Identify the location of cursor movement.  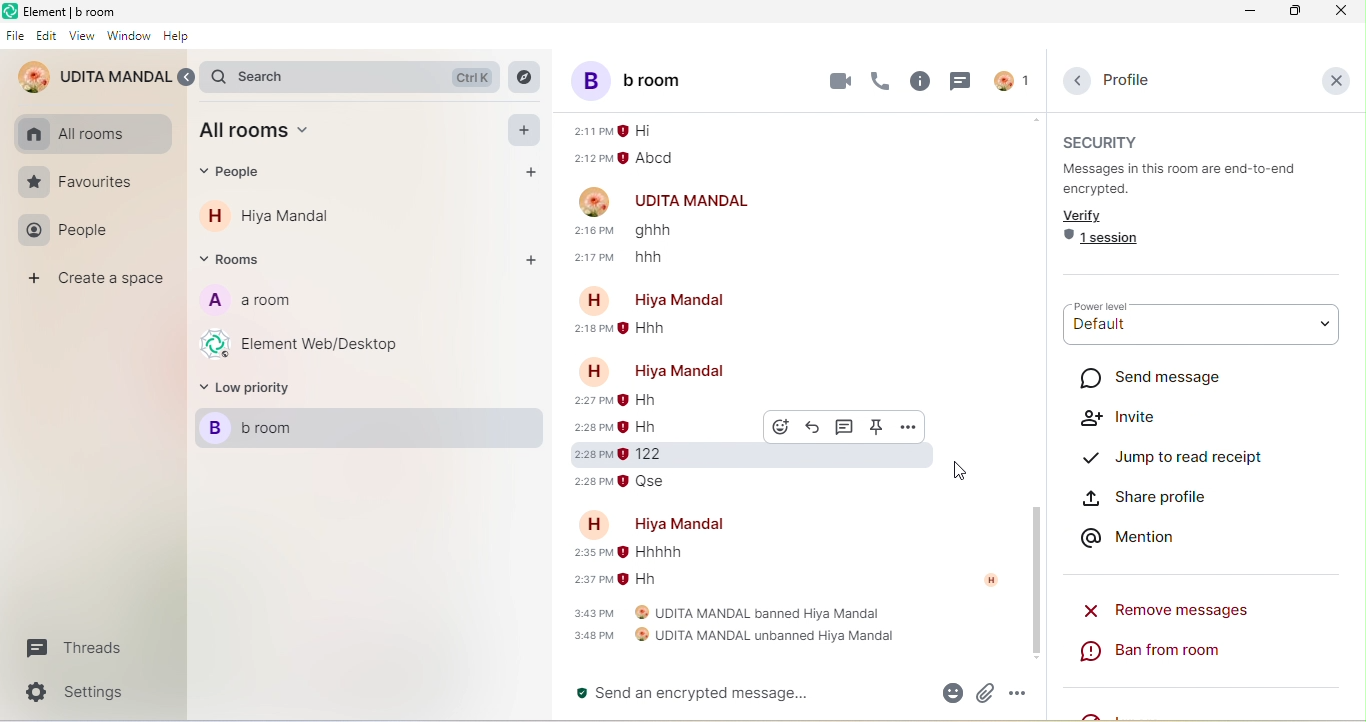
(957, 471).